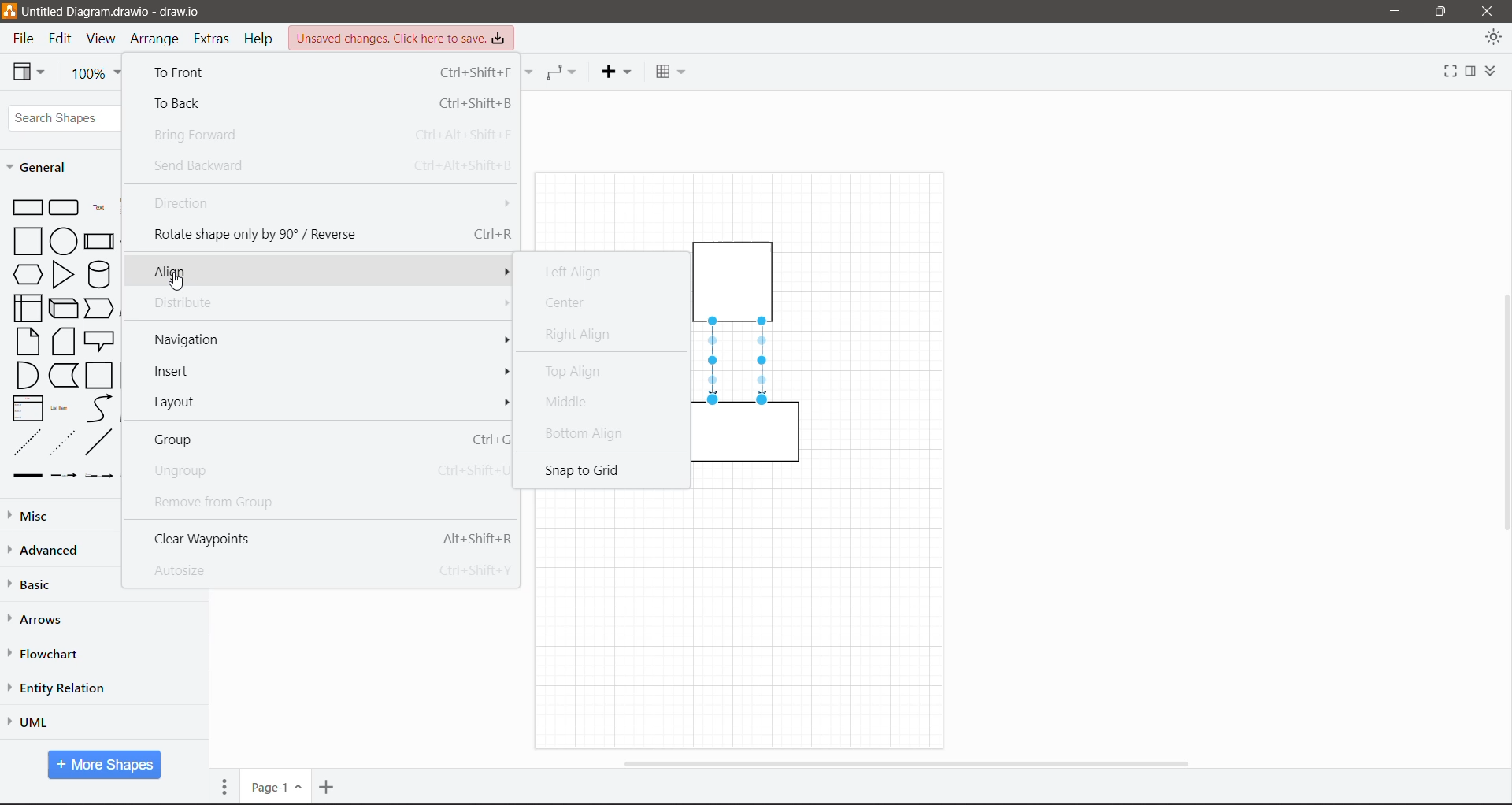 The image size is (1512, 805). I want to click on dotted line, so click(62, 442).